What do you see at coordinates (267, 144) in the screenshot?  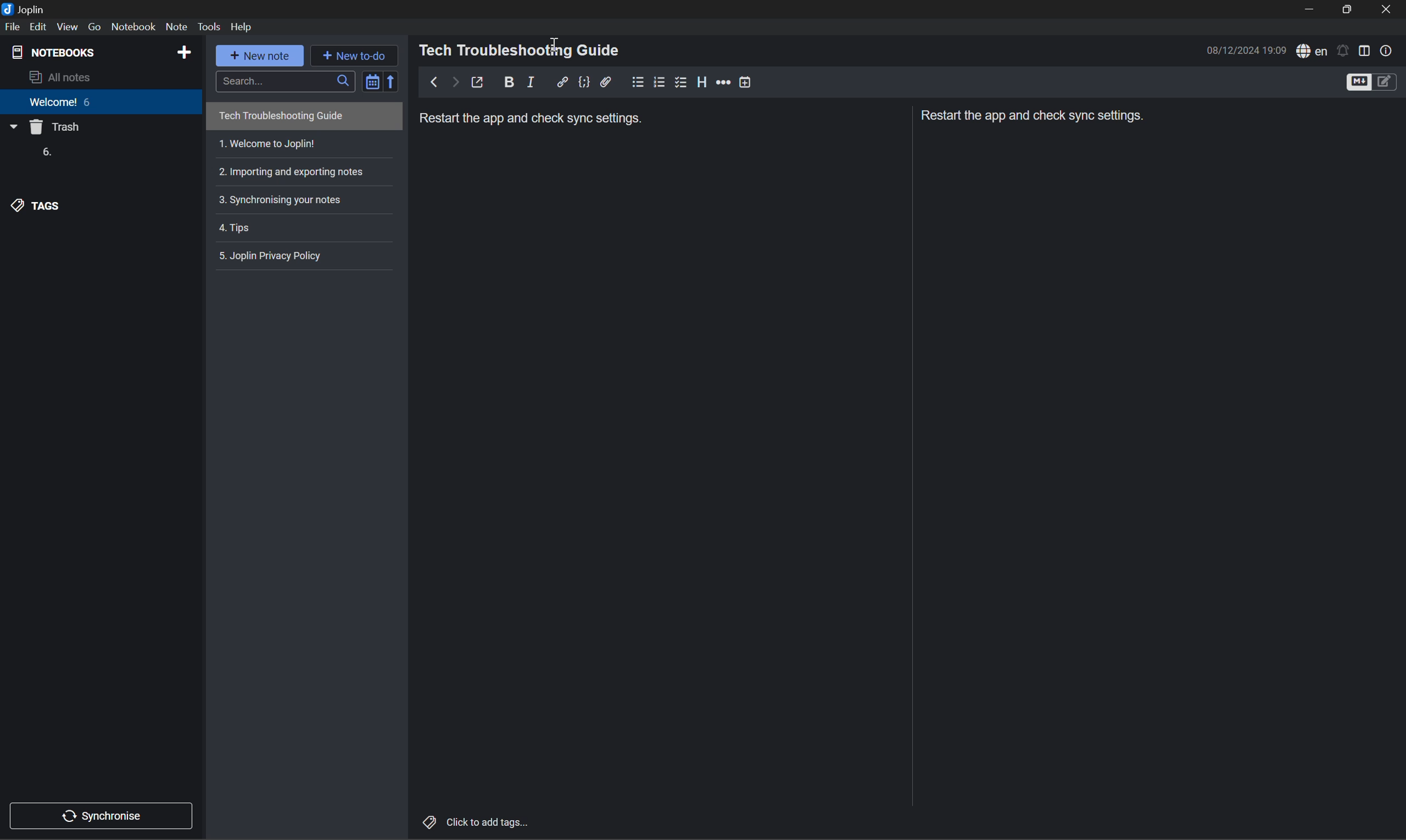 I see `1. Welcome to Joplin!` at bounding box center [267, 144].